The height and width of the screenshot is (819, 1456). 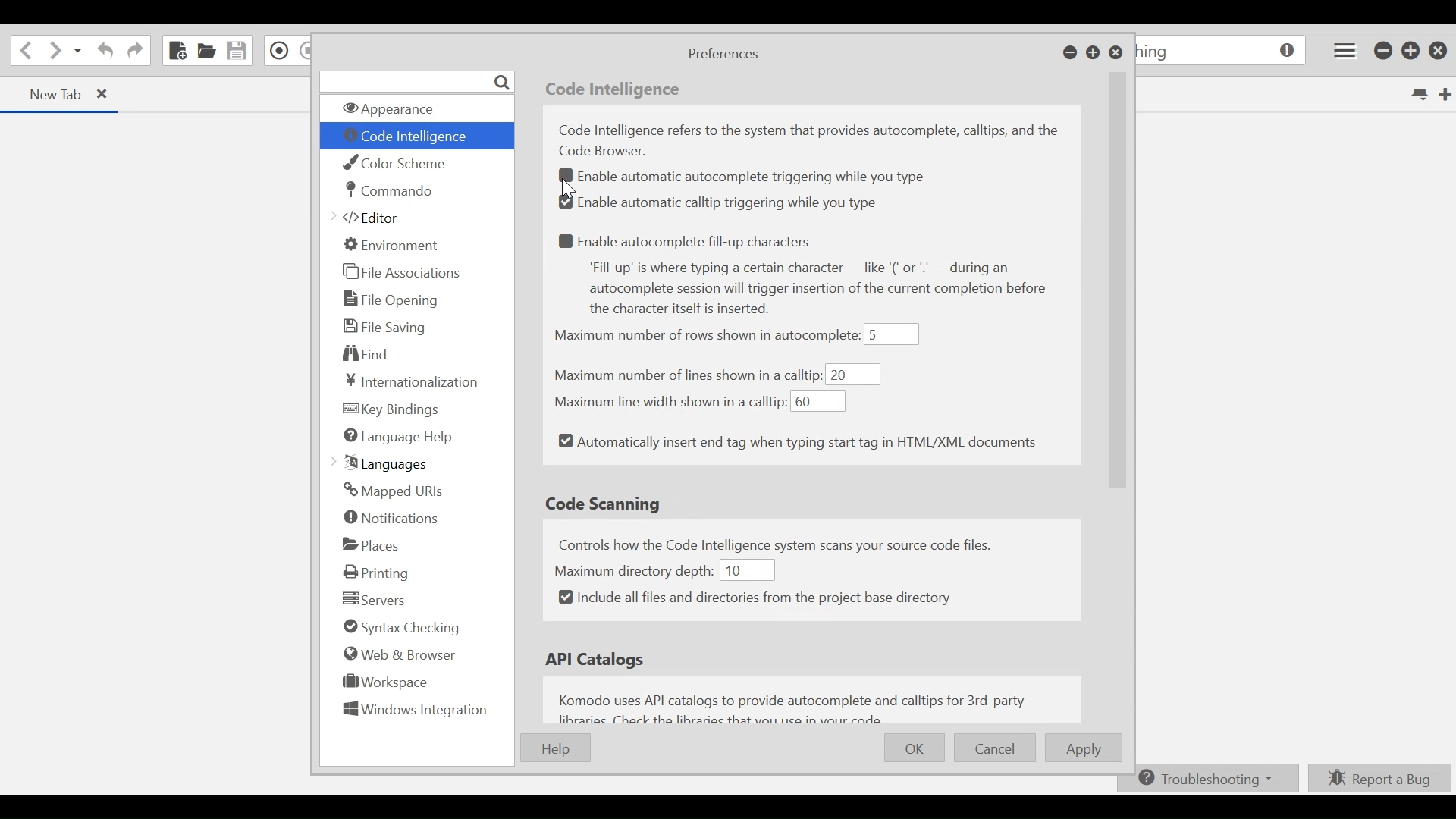 What do you see at coordinates (374, 600) in the screenshot?
I see `Servers` at bounding box center [374, 600].